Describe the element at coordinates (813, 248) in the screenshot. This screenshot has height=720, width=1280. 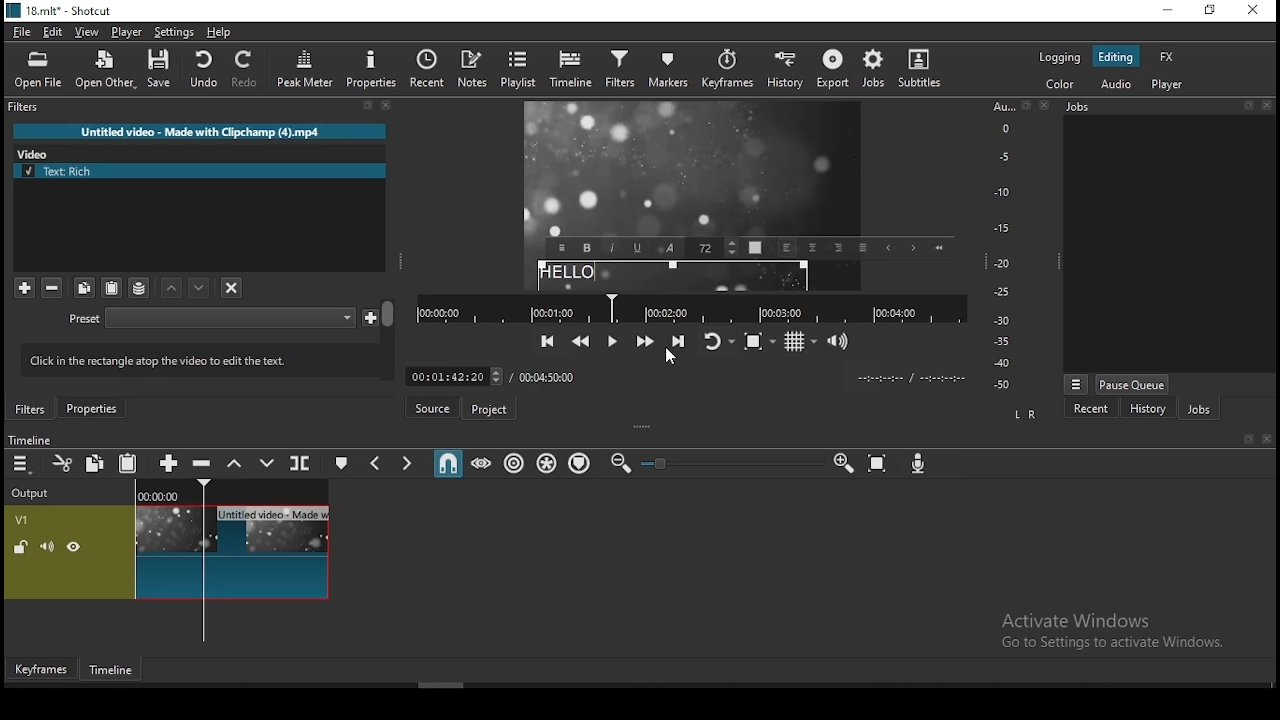
I see `Center Align` at that location.